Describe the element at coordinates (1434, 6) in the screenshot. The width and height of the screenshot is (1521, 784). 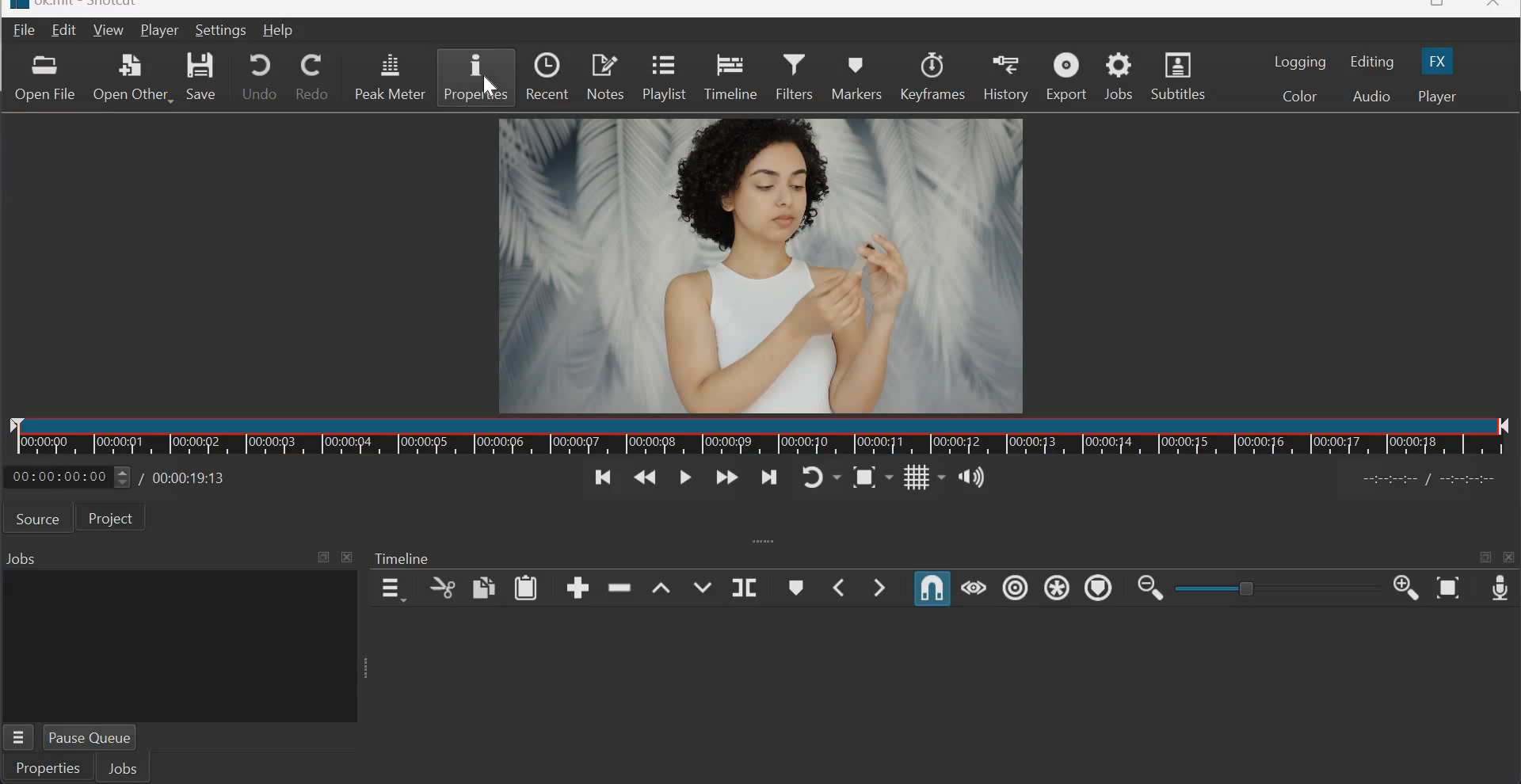
I see `resize` at that location.